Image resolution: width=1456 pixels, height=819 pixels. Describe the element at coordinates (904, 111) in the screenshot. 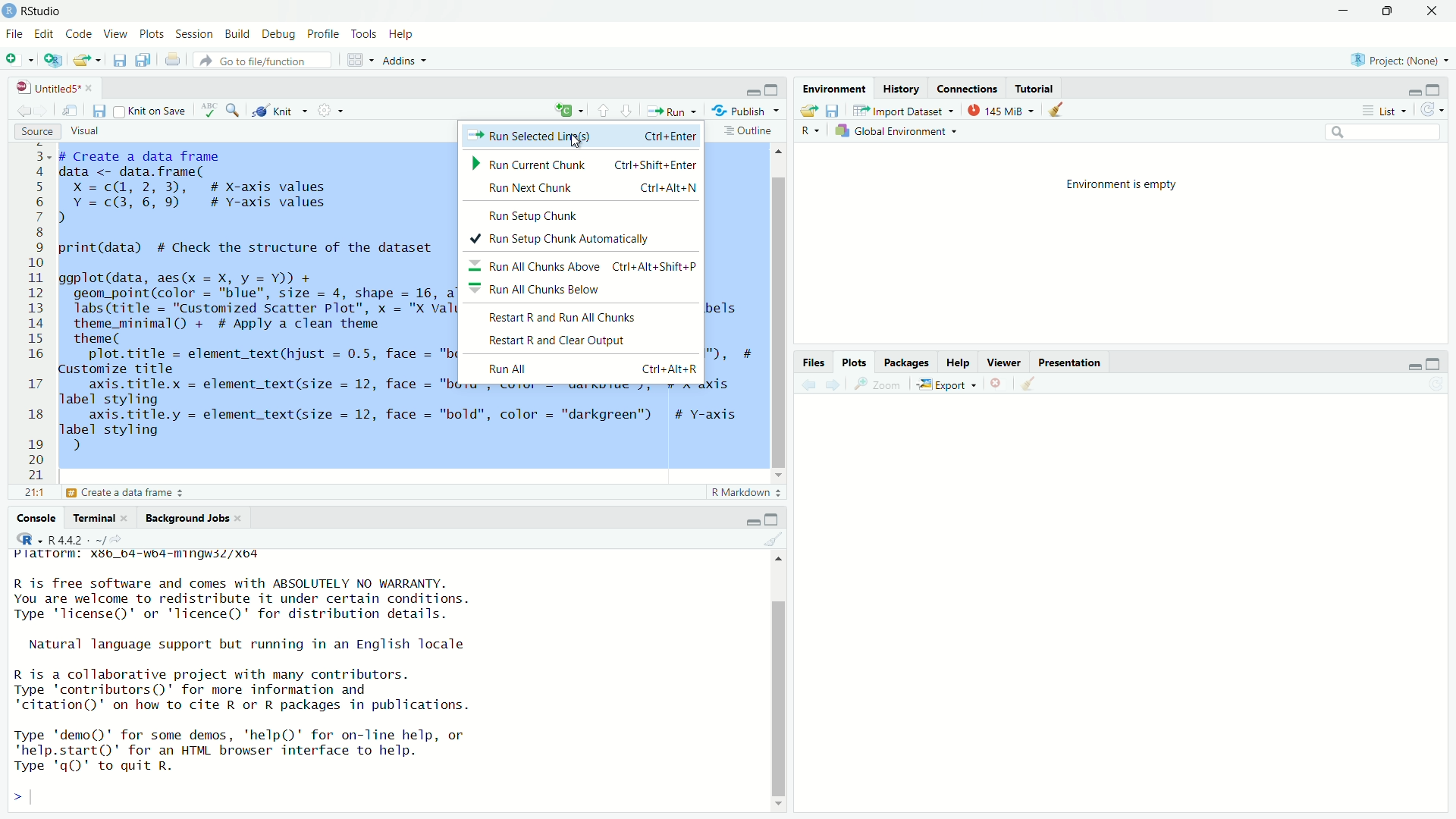

I see `Import dataset` at that location.